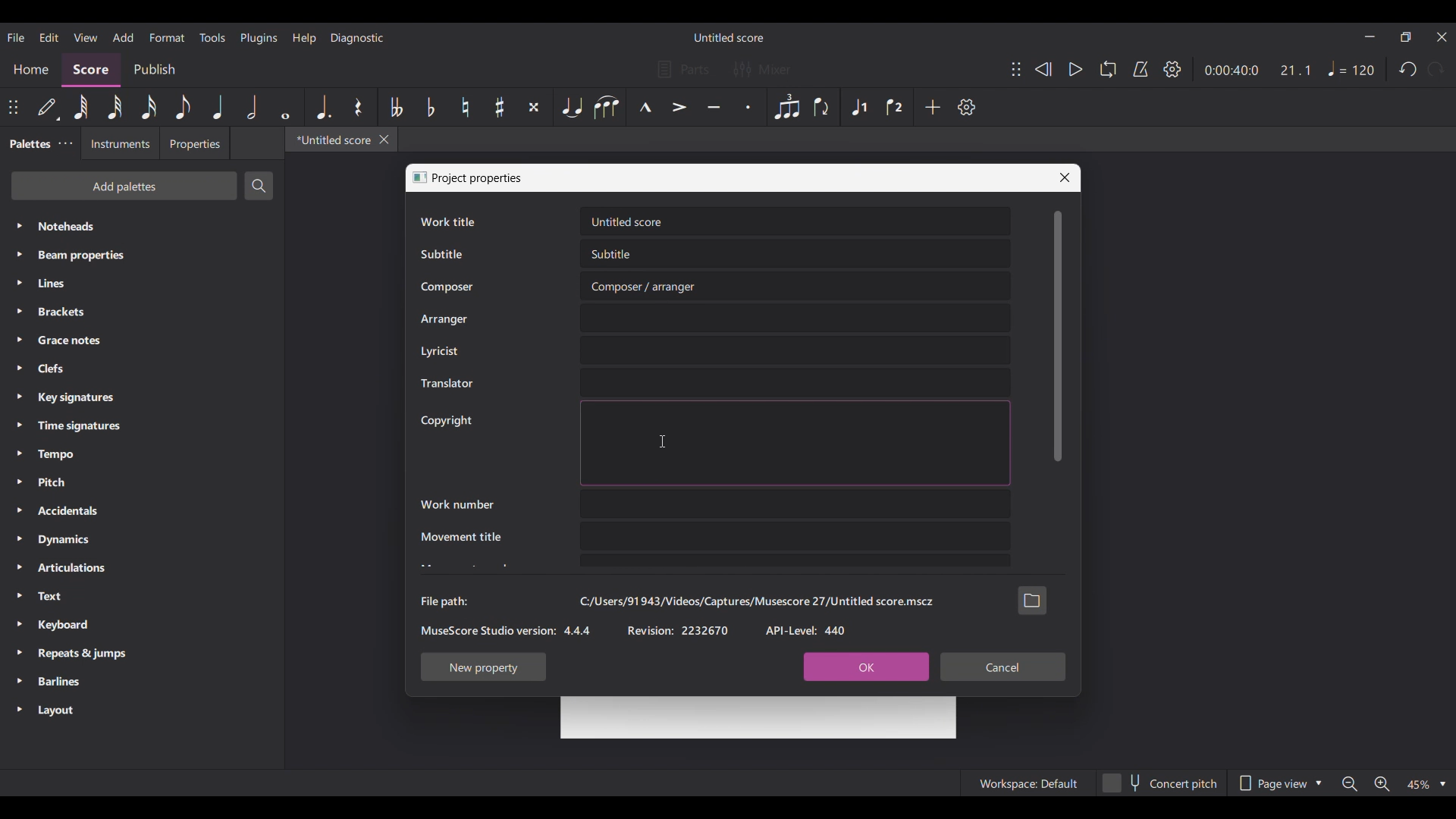  I want to click on Help menu, so click(304, 39).